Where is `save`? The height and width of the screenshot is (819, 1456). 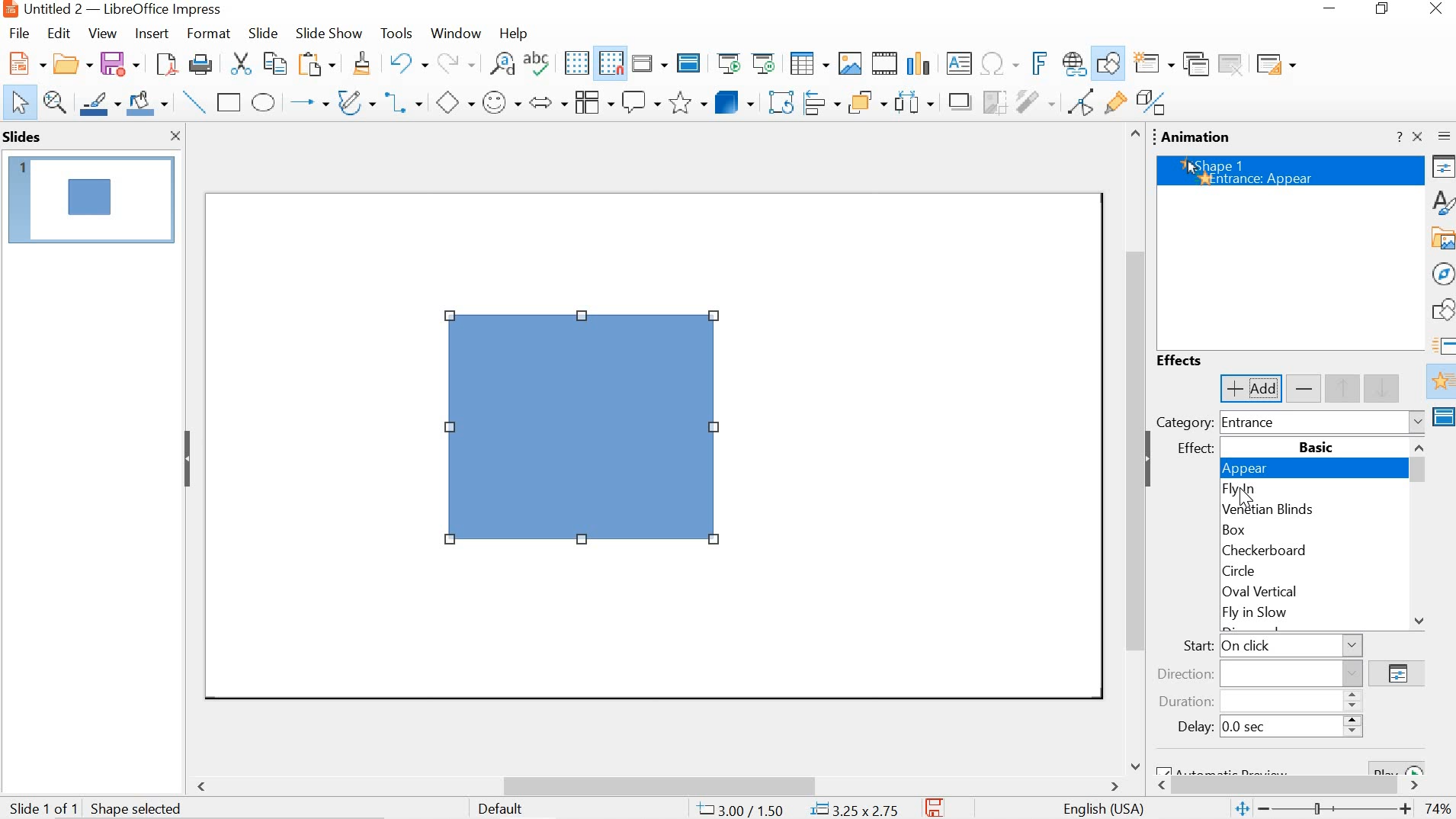
save is located at coordinates (118, 63).